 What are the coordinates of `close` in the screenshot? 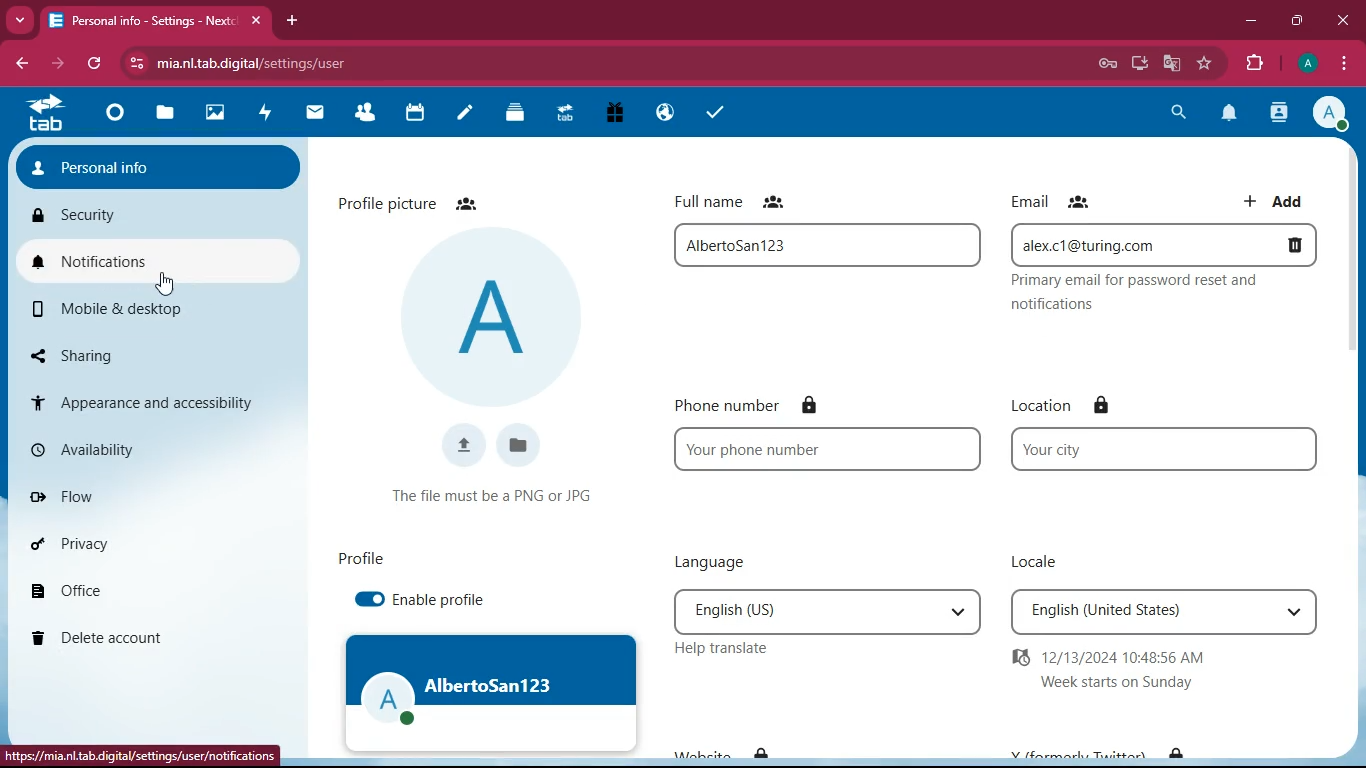 It's located at (1342, 22).